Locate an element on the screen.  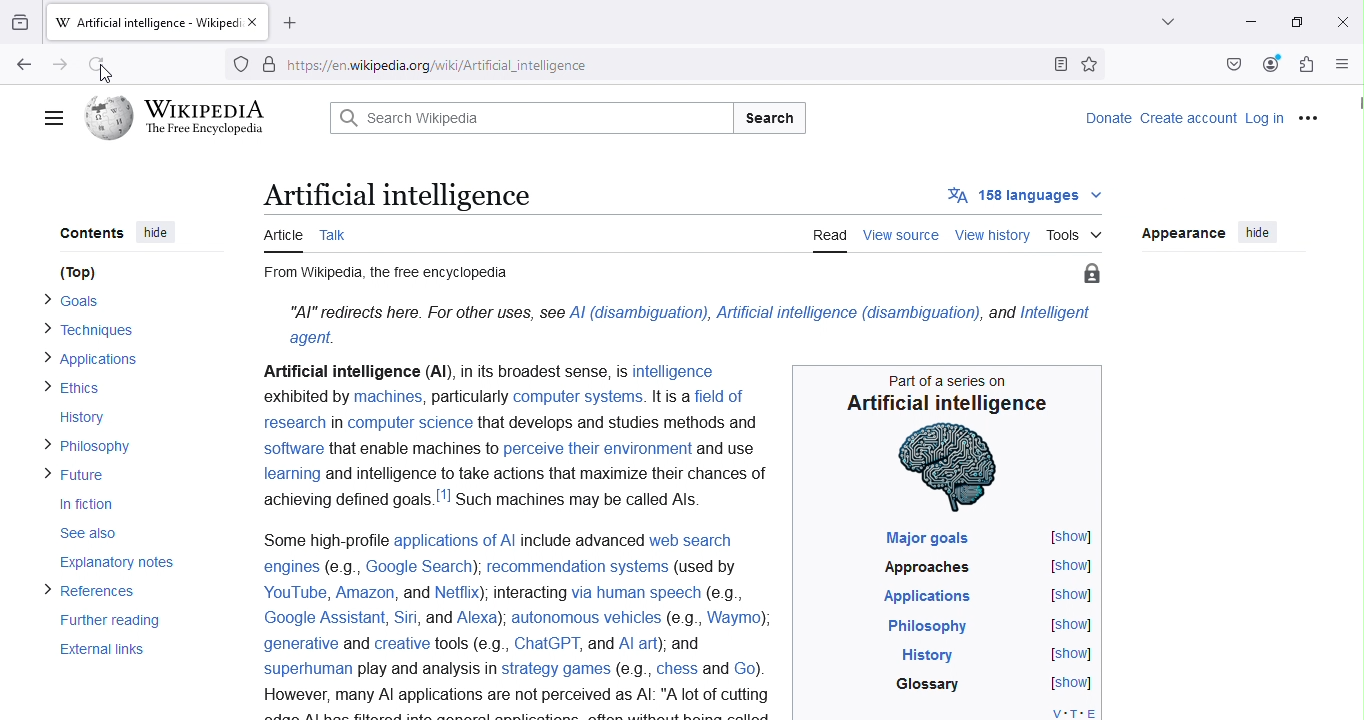
that develops and studies methods and is located at coordinates (618, 422).